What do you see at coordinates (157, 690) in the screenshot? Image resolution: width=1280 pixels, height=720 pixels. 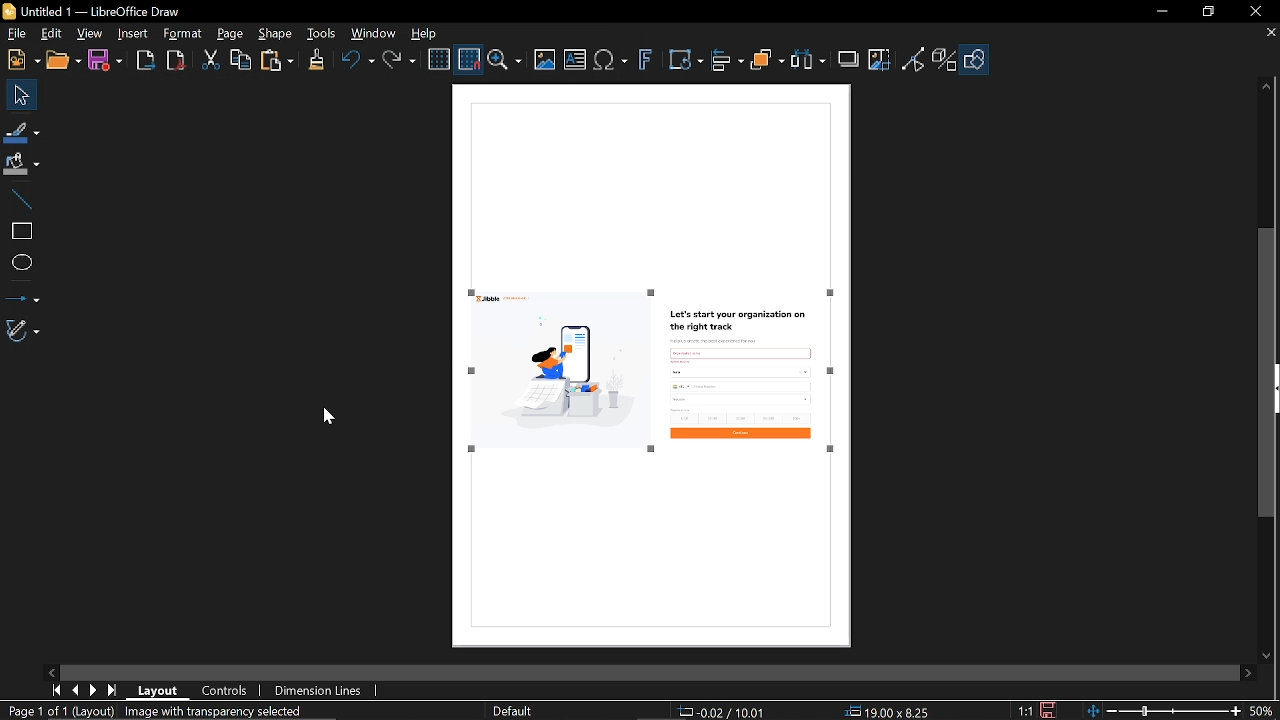 I see `Layout` at bounding box center [157, 690].